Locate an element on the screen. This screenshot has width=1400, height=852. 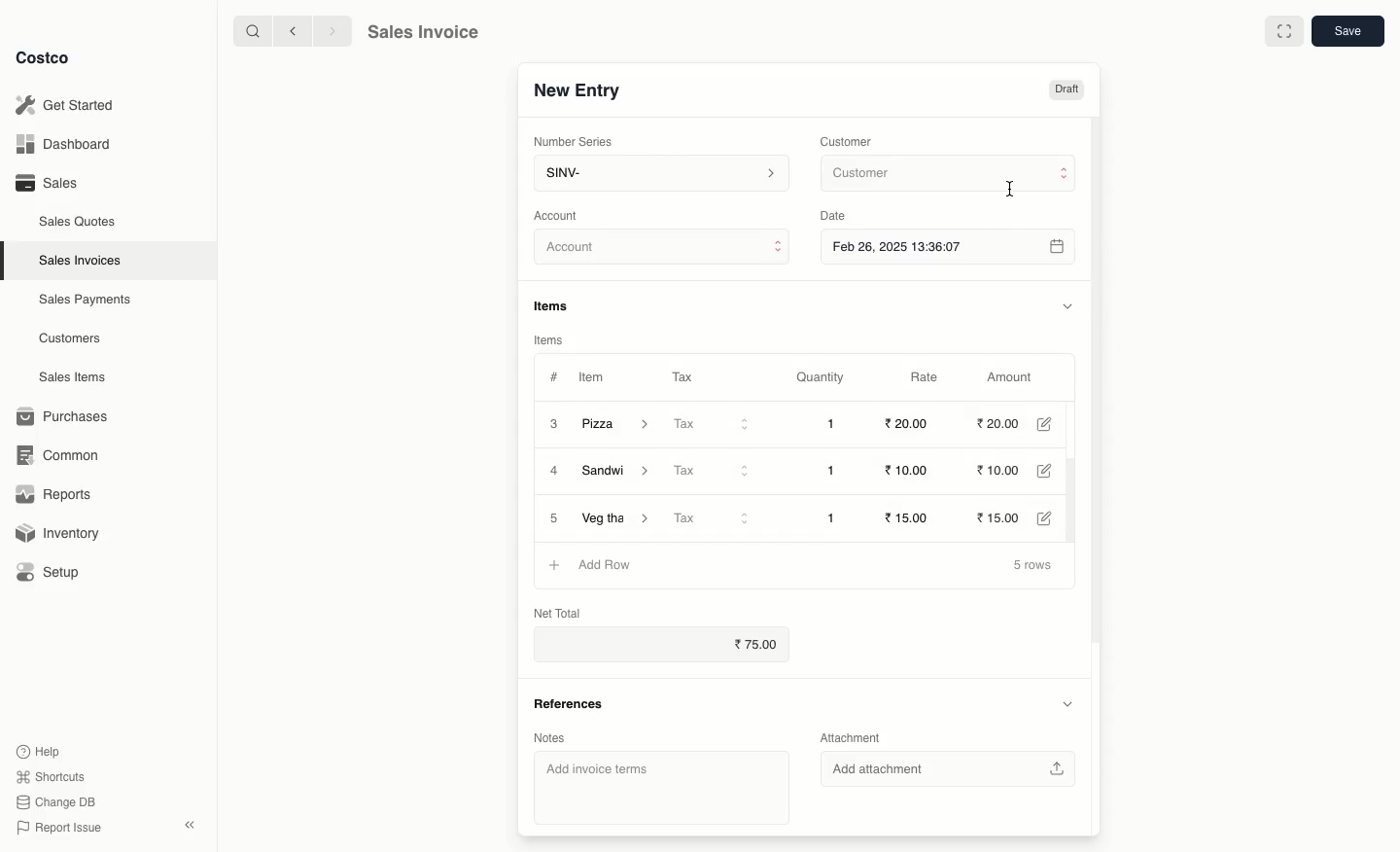
Notes is located at coordinates (548, 736).